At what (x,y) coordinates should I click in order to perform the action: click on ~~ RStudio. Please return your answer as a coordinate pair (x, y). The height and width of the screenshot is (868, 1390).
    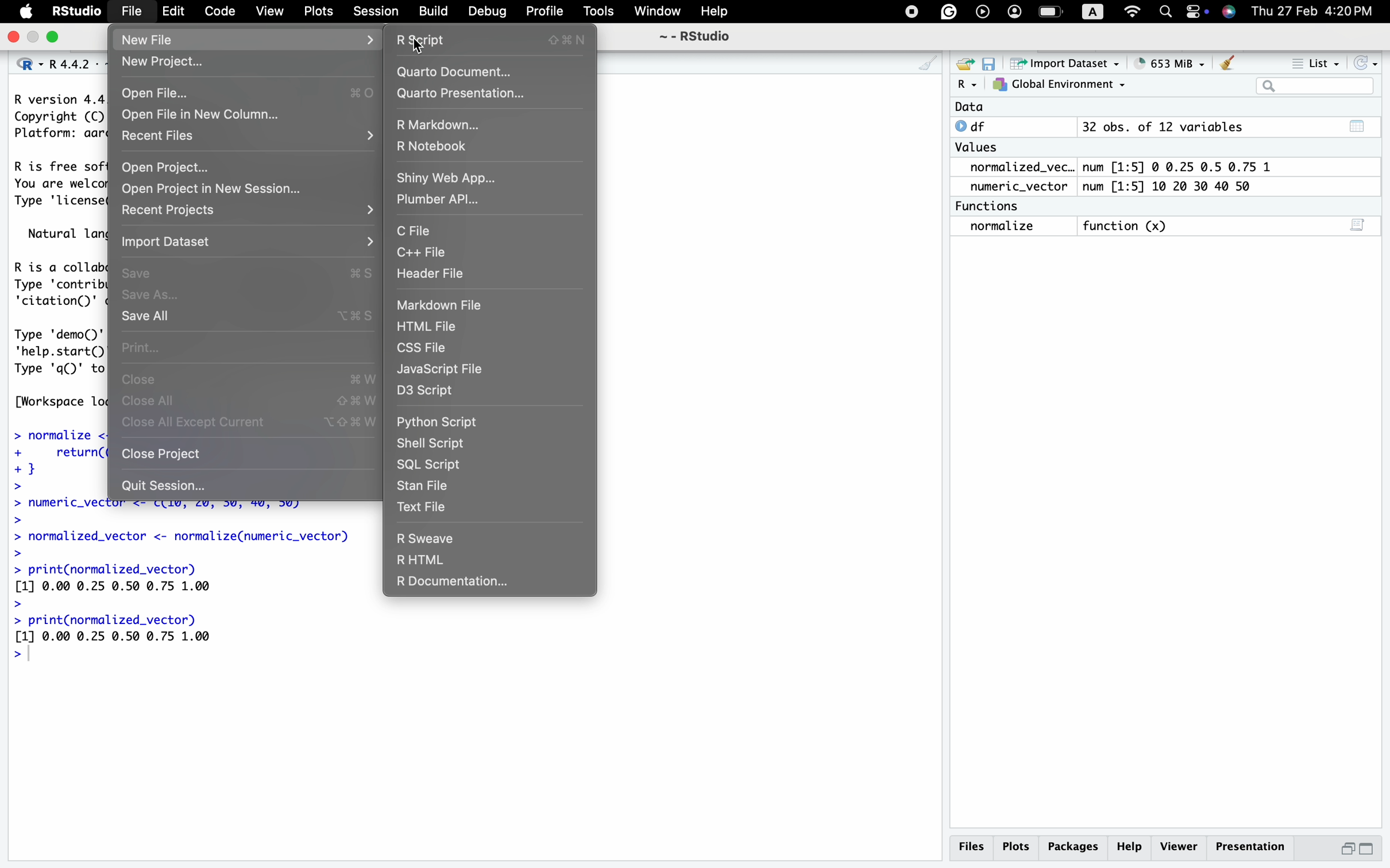
    Looking at the image, I should click on (694, 40).